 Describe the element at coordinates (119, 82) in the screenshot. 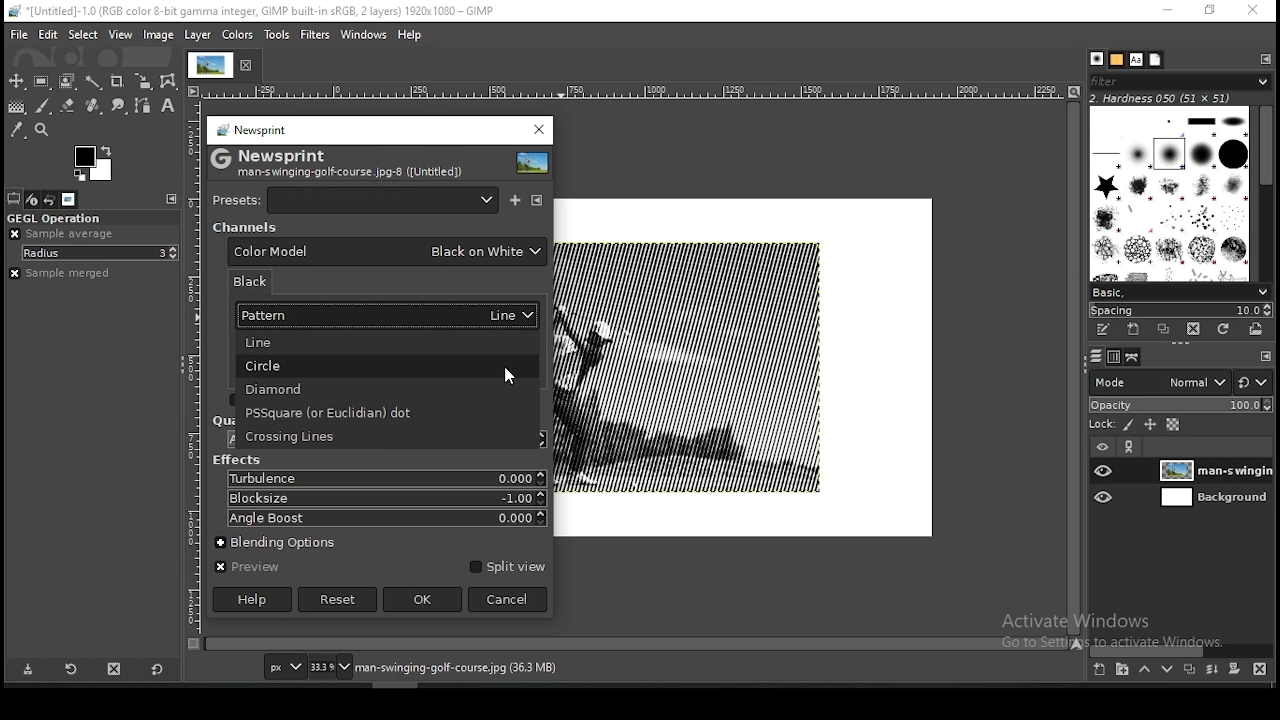

I see `crop tool` at that location.